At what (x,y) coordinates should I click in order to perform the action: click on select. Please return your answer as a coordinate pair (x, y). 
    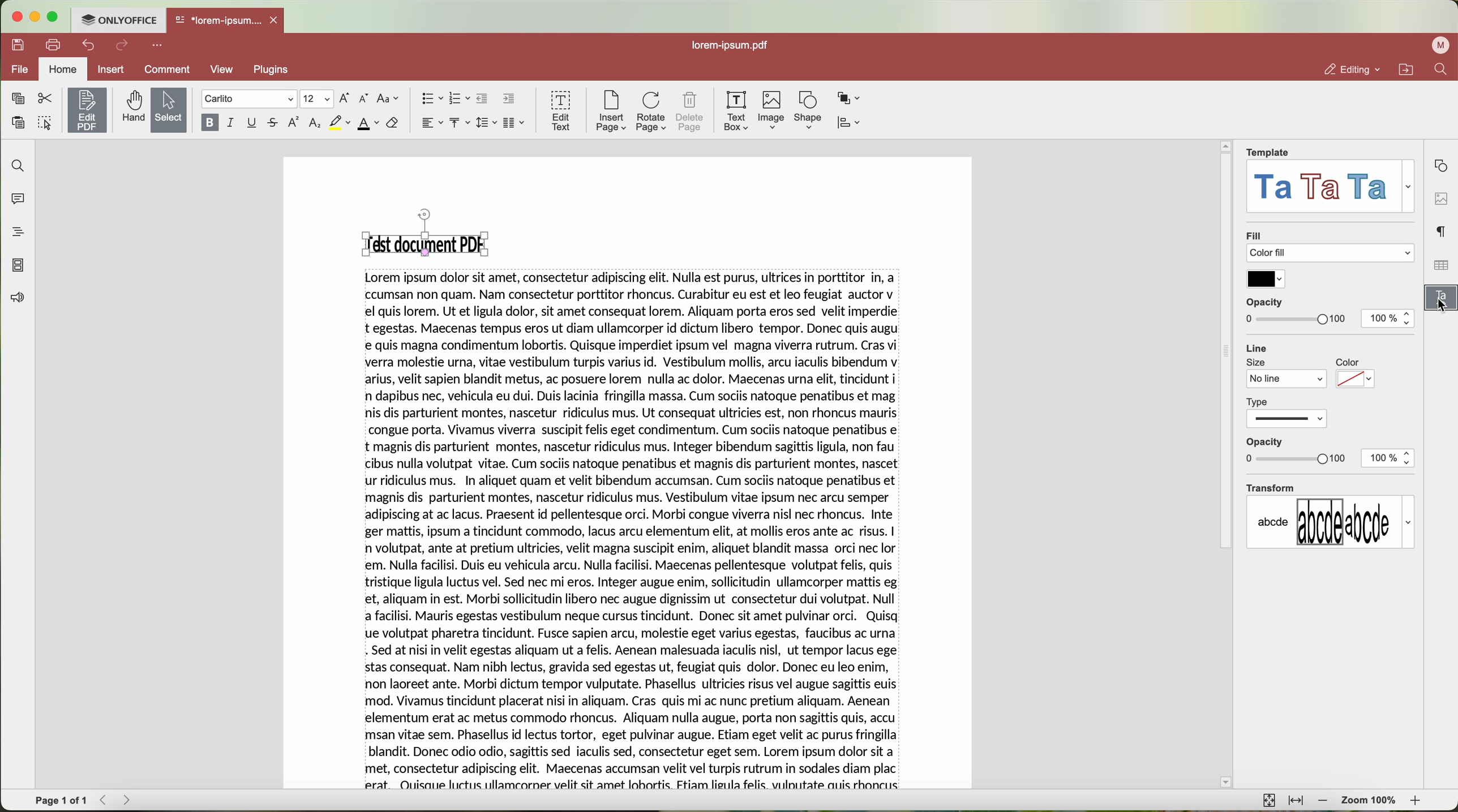
    Looking at the image, I should click on (168, 110).